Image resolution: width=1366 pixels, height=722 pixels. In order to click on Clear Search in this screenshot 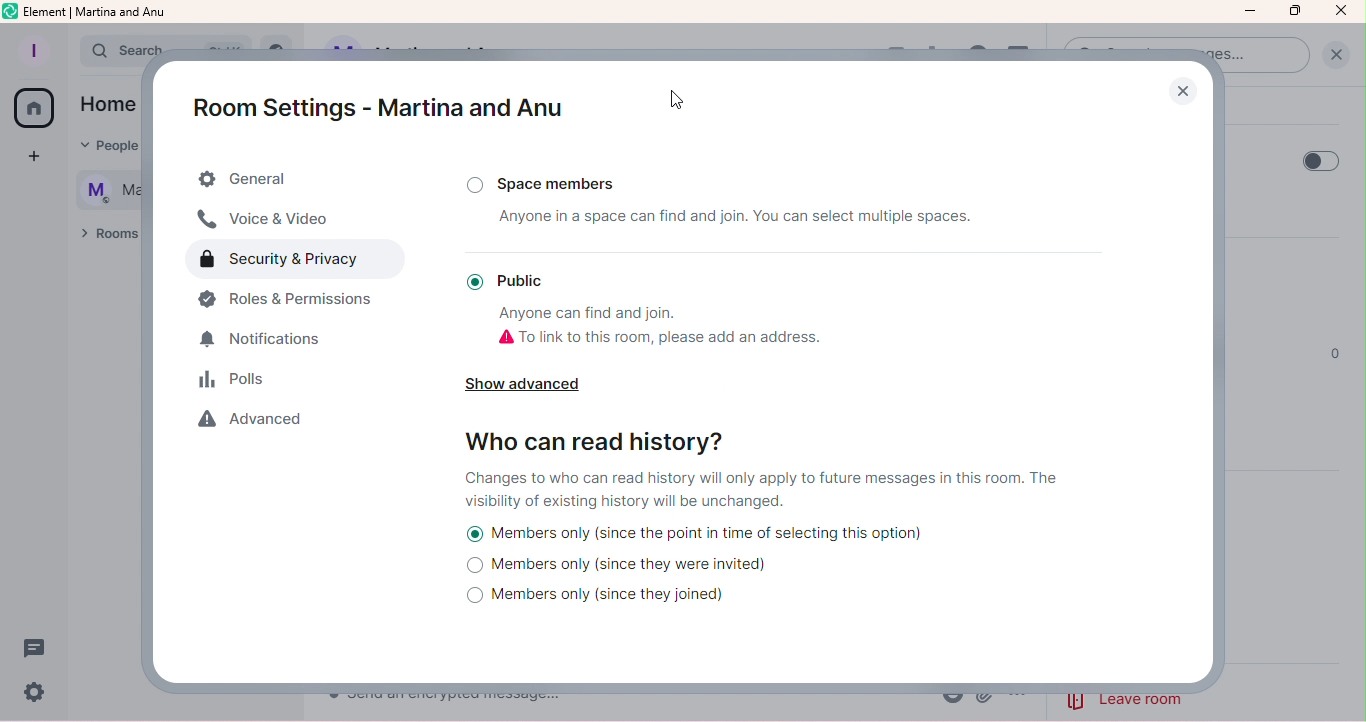, I will do `click(1333, 60)`.